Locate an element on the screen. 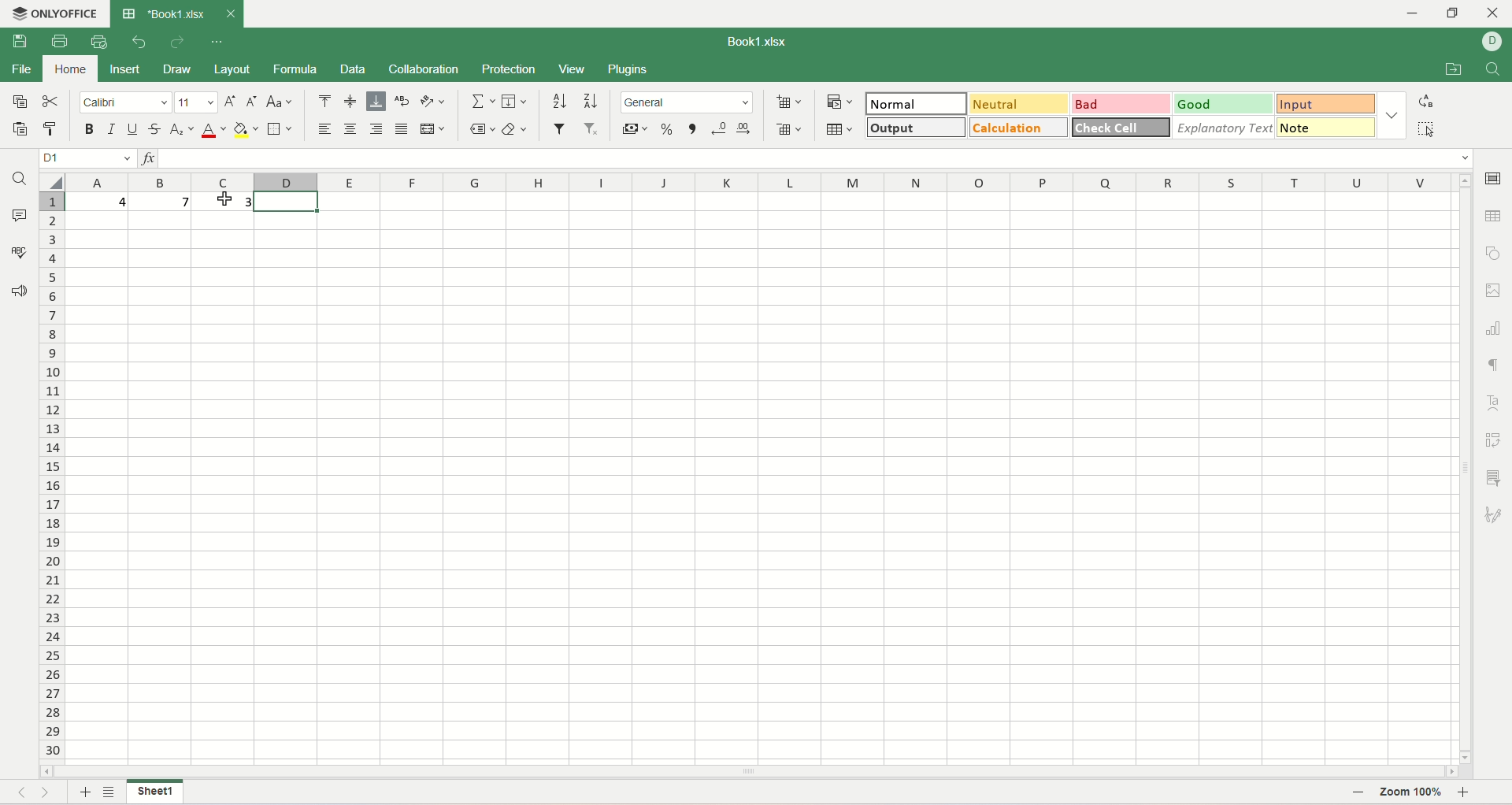 This screenshot has height=805, width=1512. change case is located at coordinates (278, 102).